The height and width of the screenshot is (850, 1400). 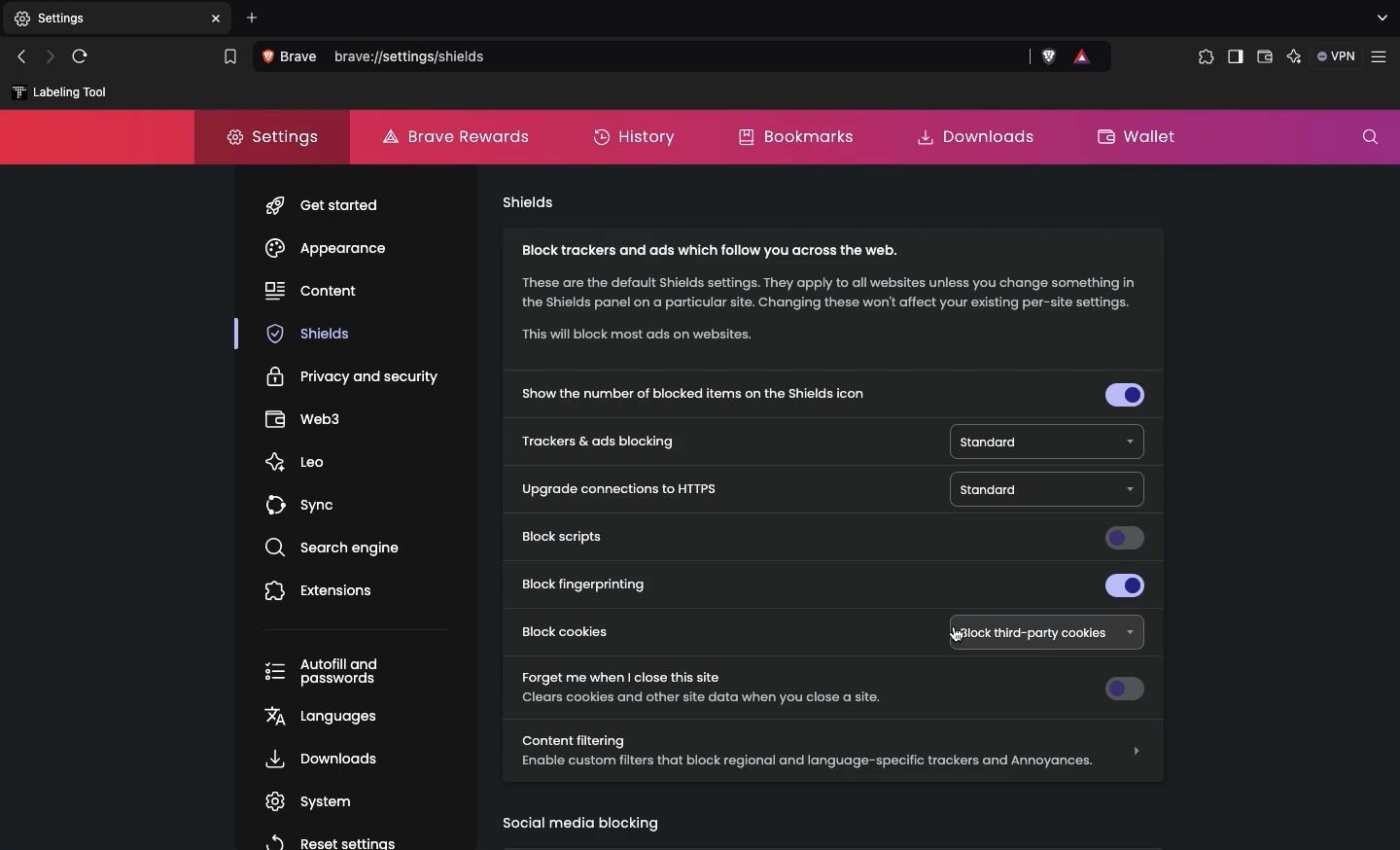 I want to click on , Downloads, so click(x=319, y=761).